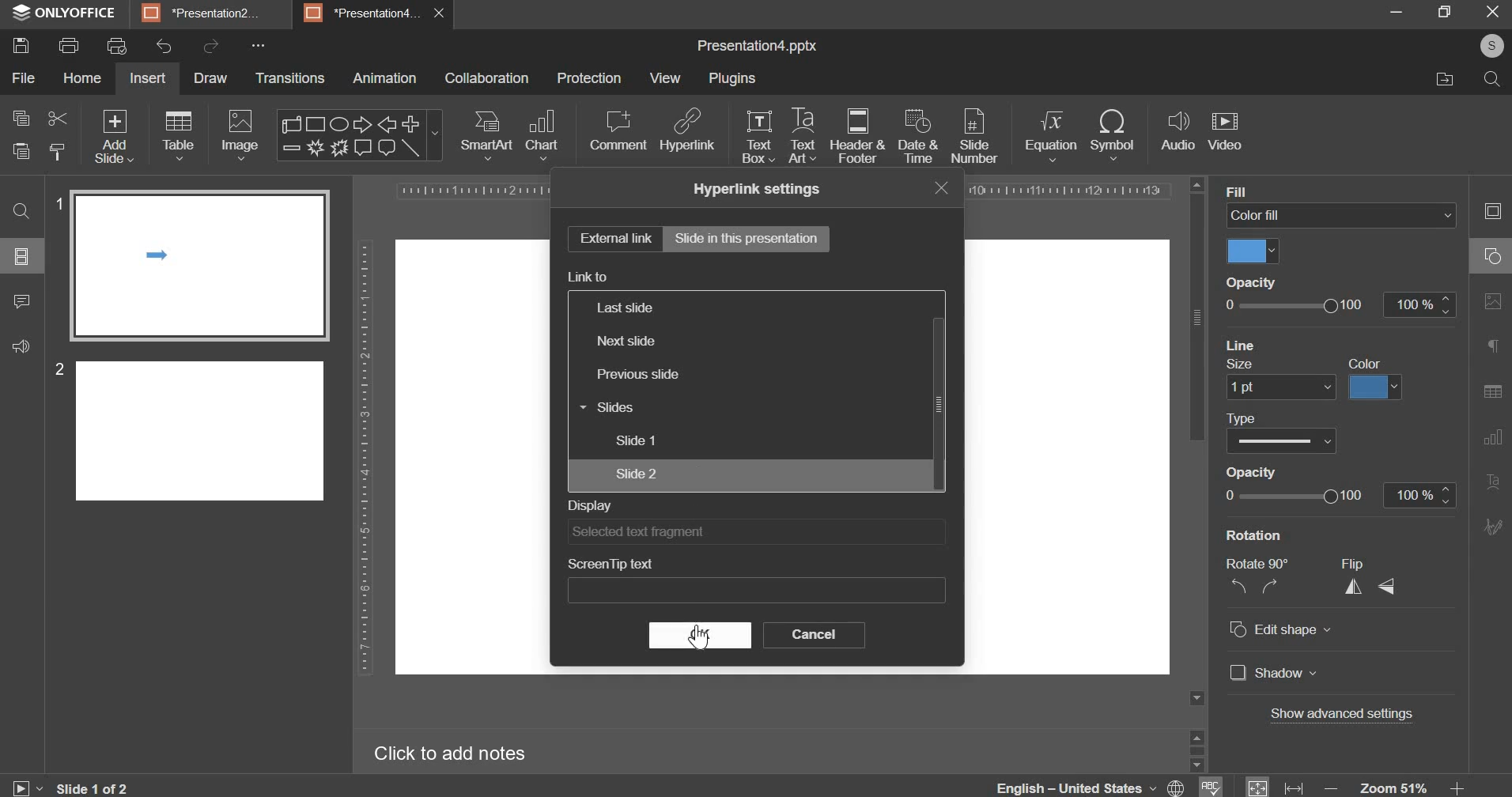 This screenshot has height=797, width=1512. What do you see at coordinates (1051, 135) in the screenshot?
I see `equation` at bounding box center [1051, 135].